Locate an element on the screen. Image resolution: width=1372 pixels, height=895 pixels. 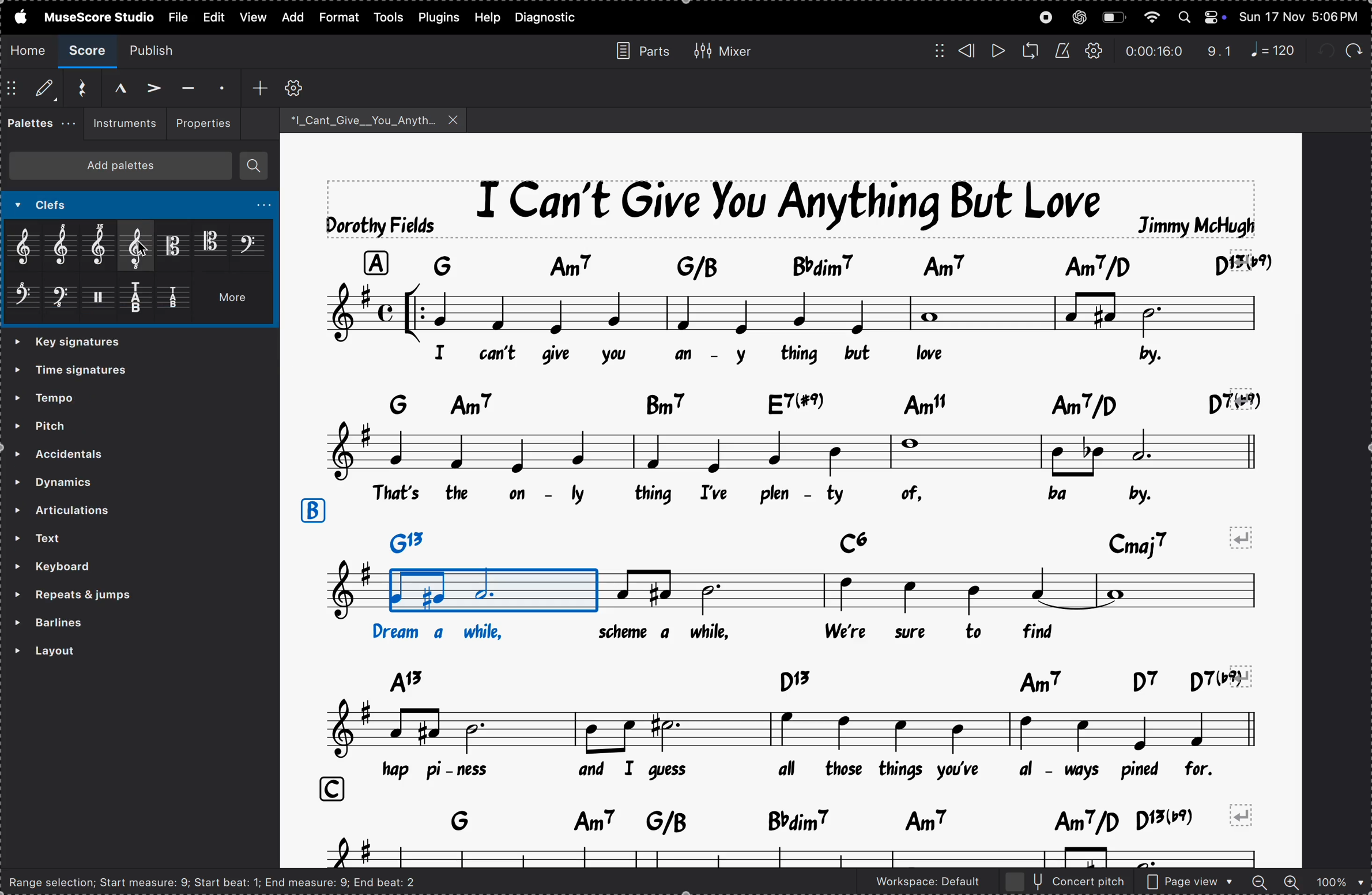
trble clef 15ma alta is located at coordinates (103, 247).